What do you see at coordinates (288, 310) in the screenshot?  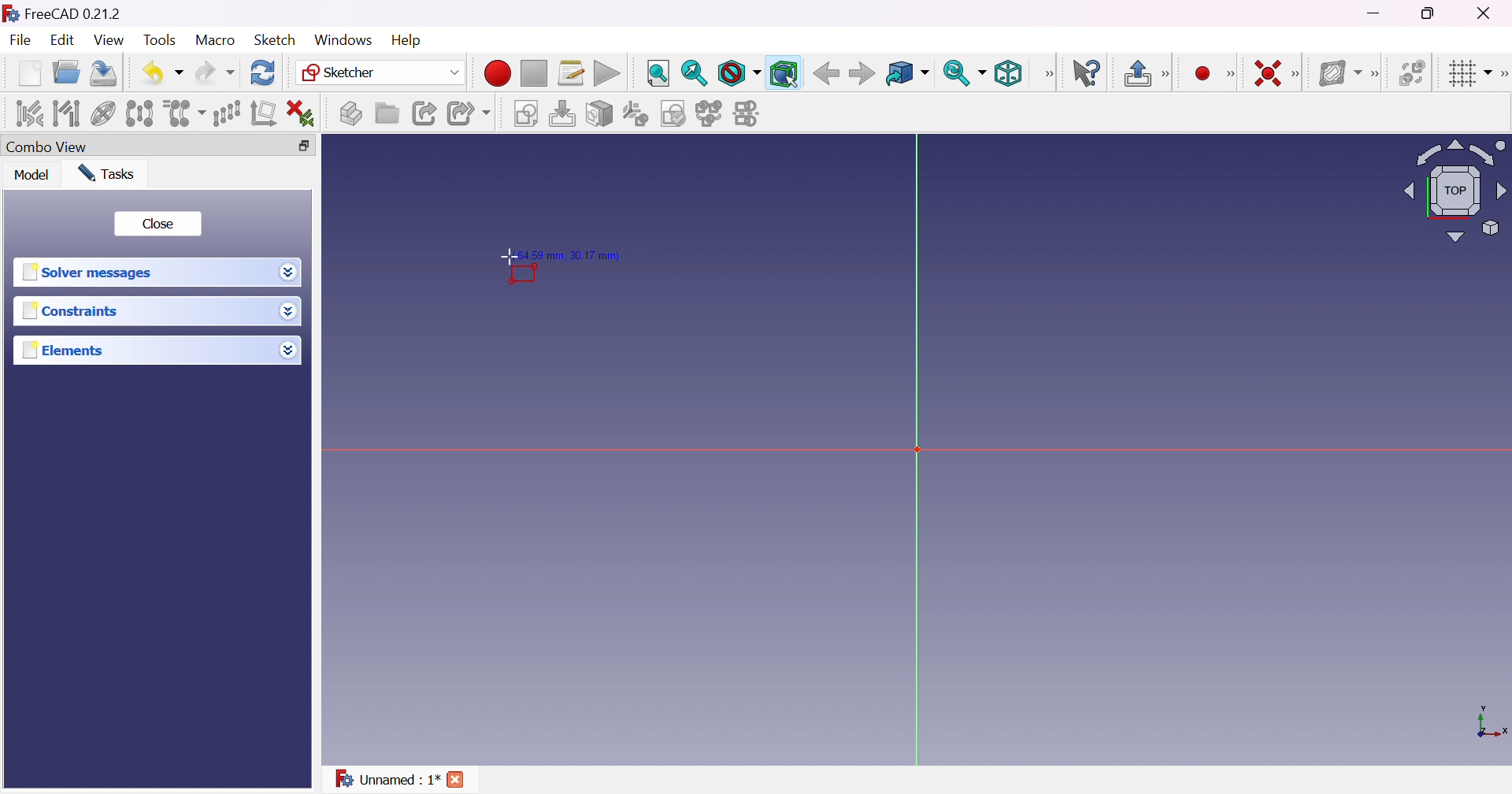 I see `Drop down` at bounding box center [288, 310].